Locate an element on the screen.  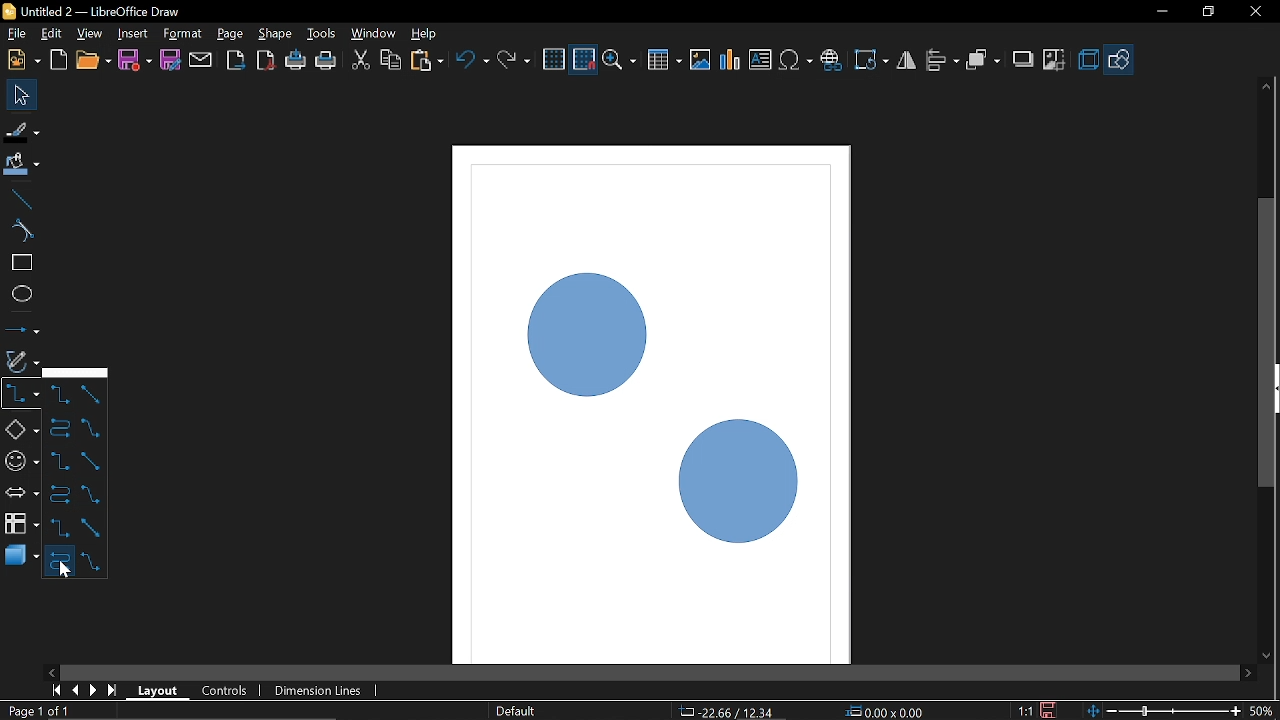
rectangle is located at coordinates (19, 262).